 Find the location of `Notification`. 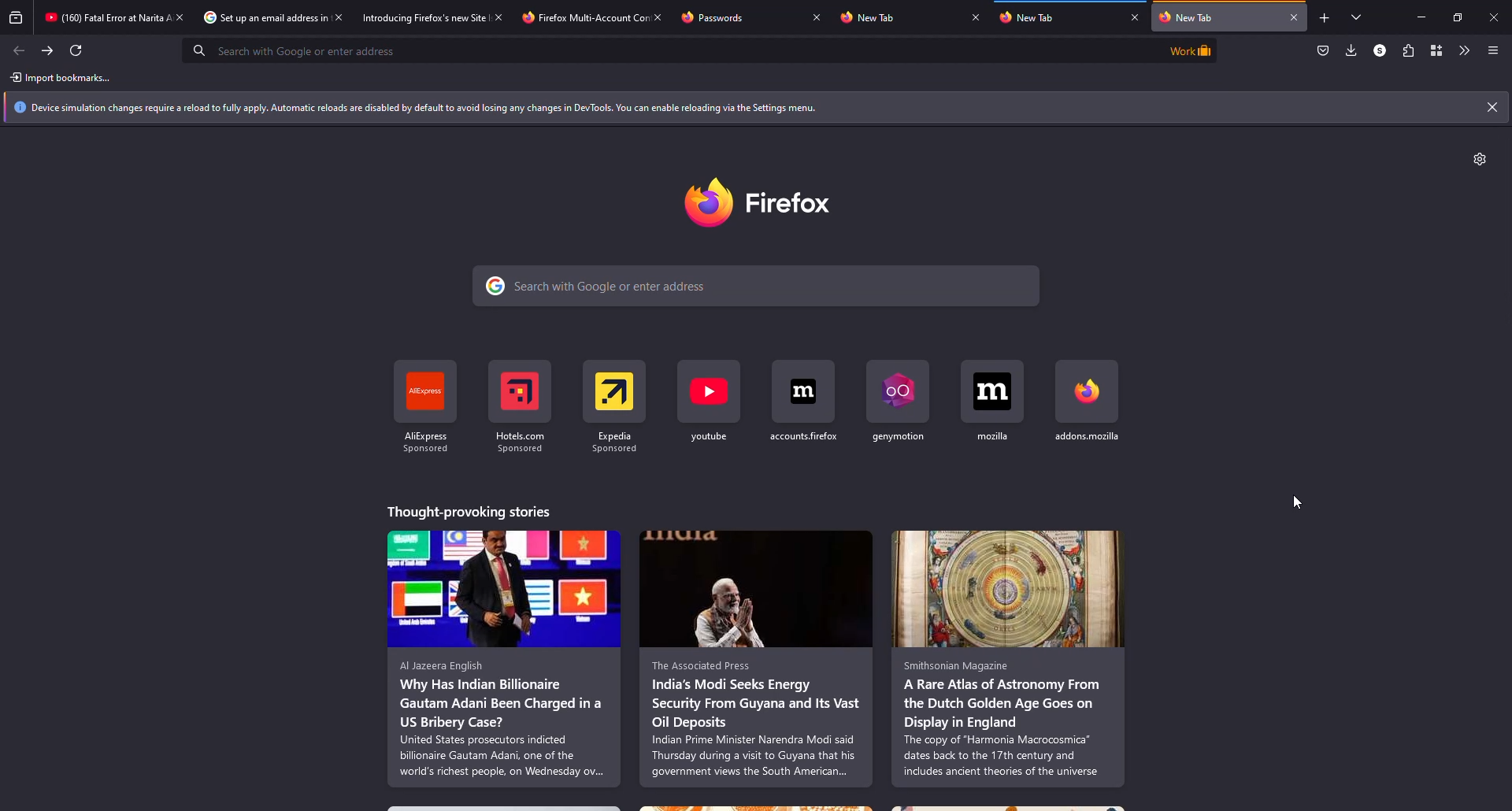

Notification is located at coordinates (740, 108).